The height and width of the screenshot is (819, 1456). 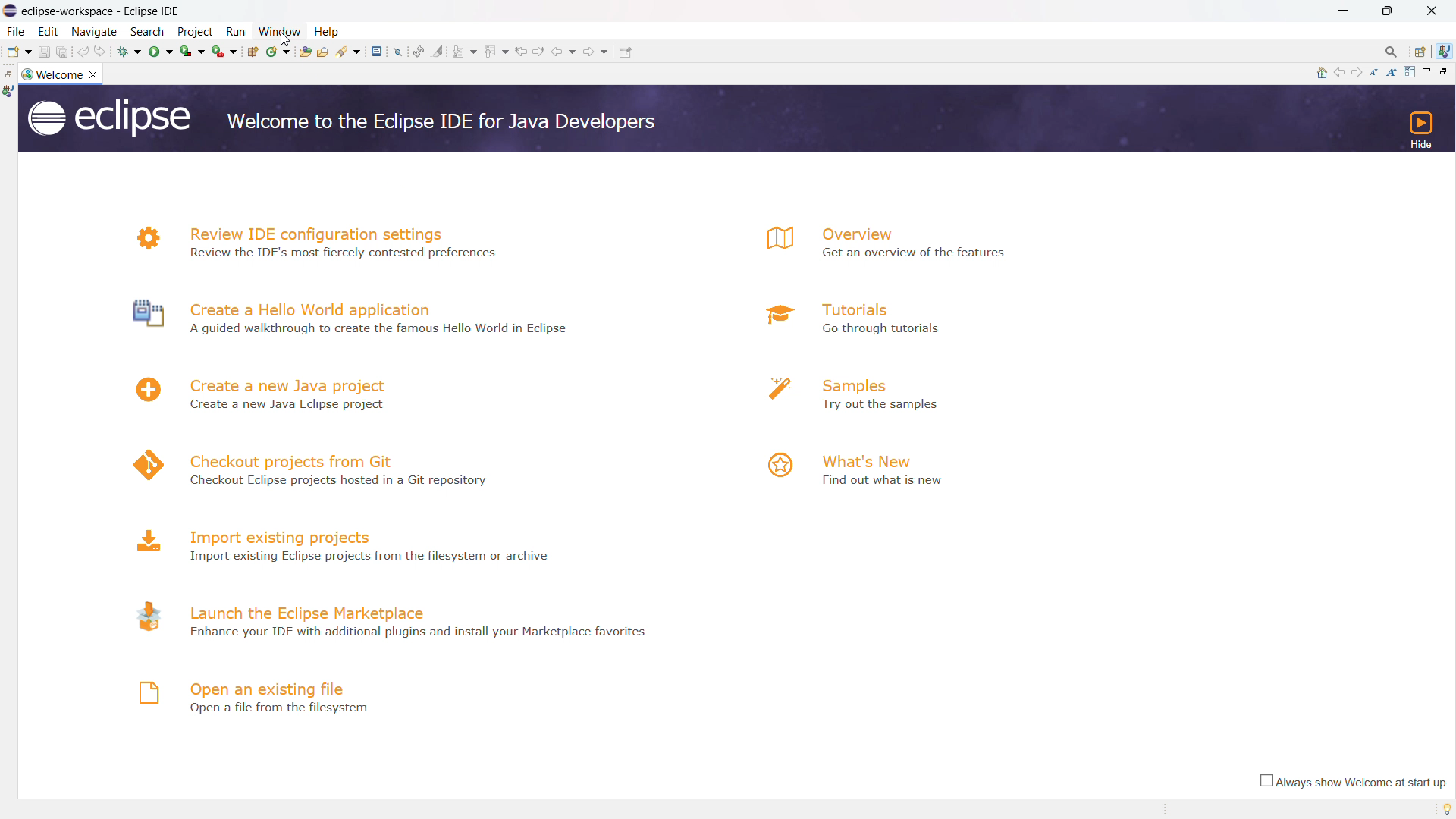 I want to click on save all, so click(x=63, y=52).